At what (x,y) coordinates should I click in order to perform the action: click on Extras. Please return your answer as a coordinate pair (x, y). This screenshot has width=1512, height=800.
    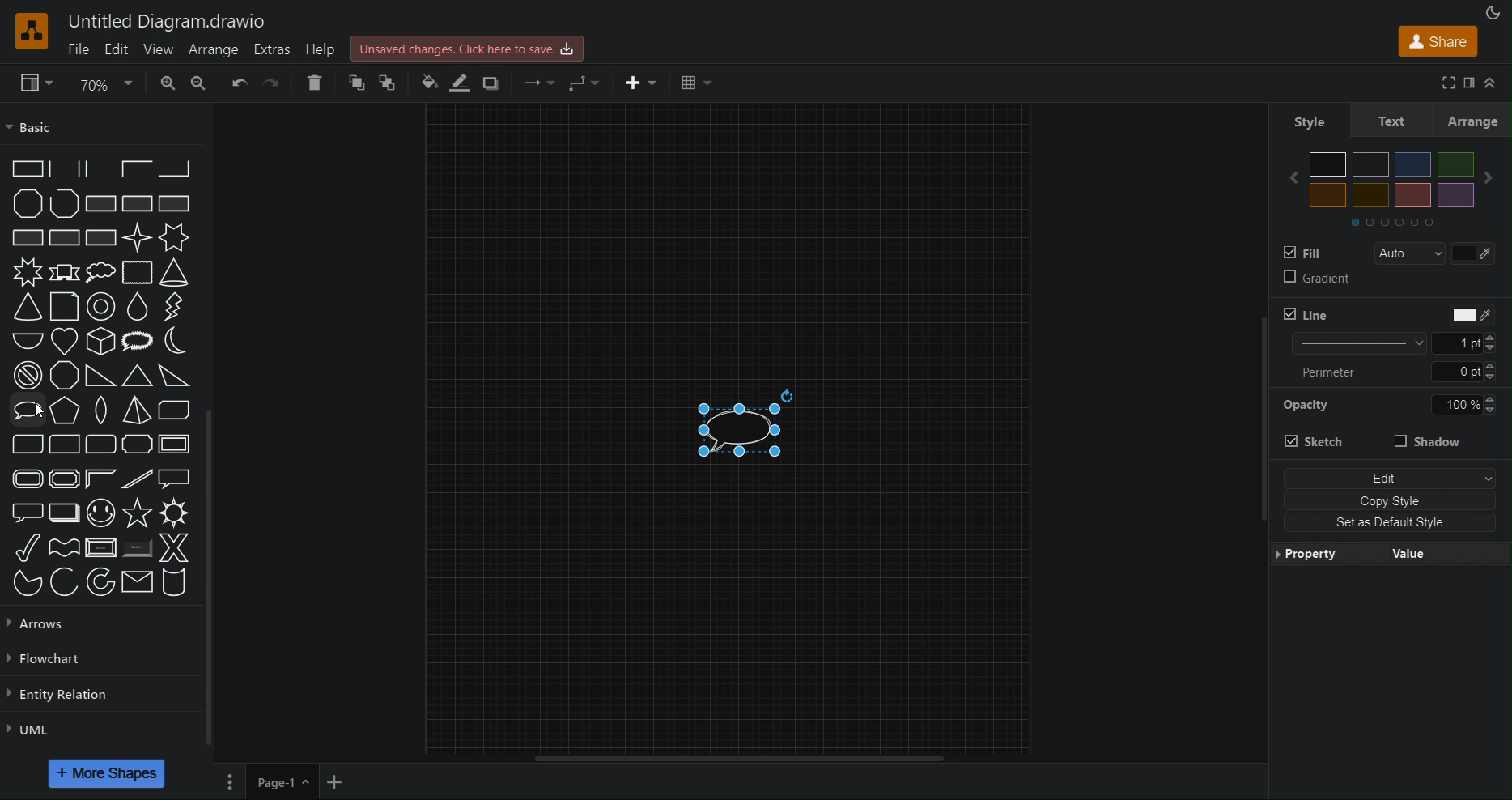
    Looking at the image, I should click on (273, 49).